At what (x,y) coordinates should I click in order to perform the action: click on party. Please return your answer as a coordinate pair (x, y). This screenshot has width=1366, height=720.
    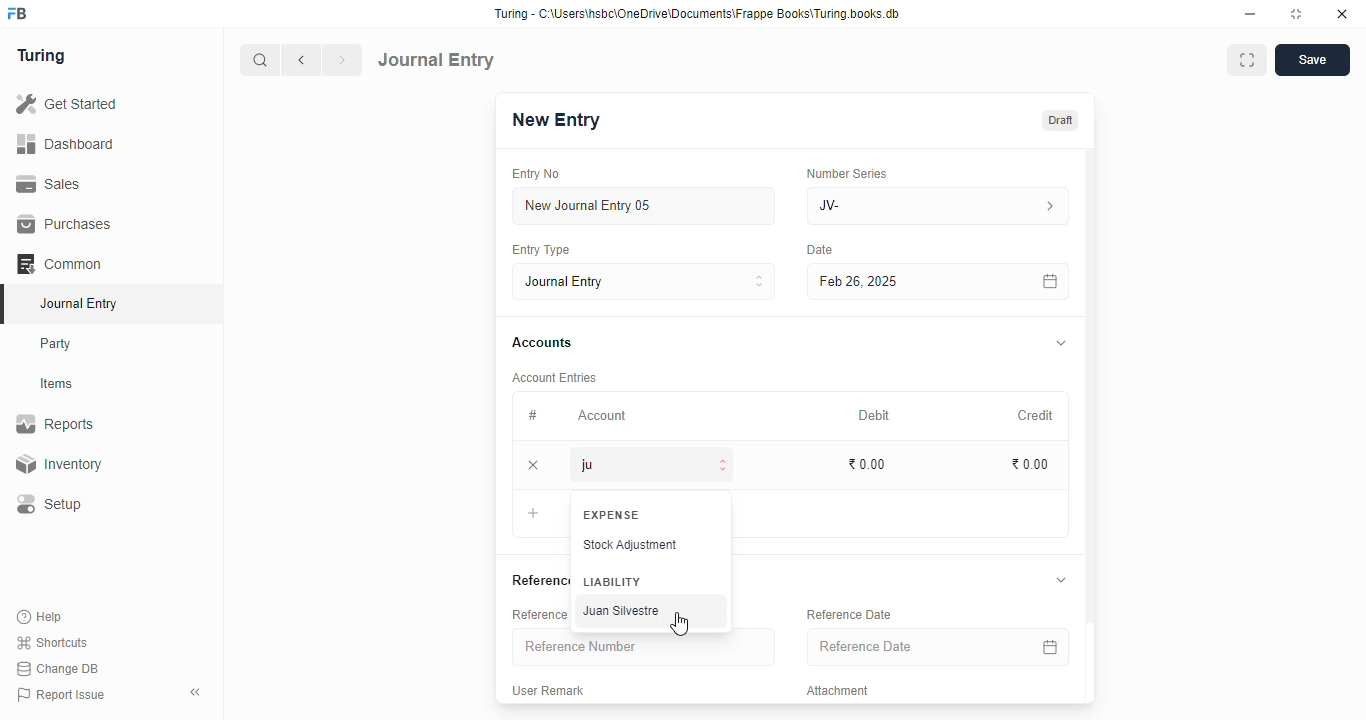
    Looking at the image, I should click on (58, 344).